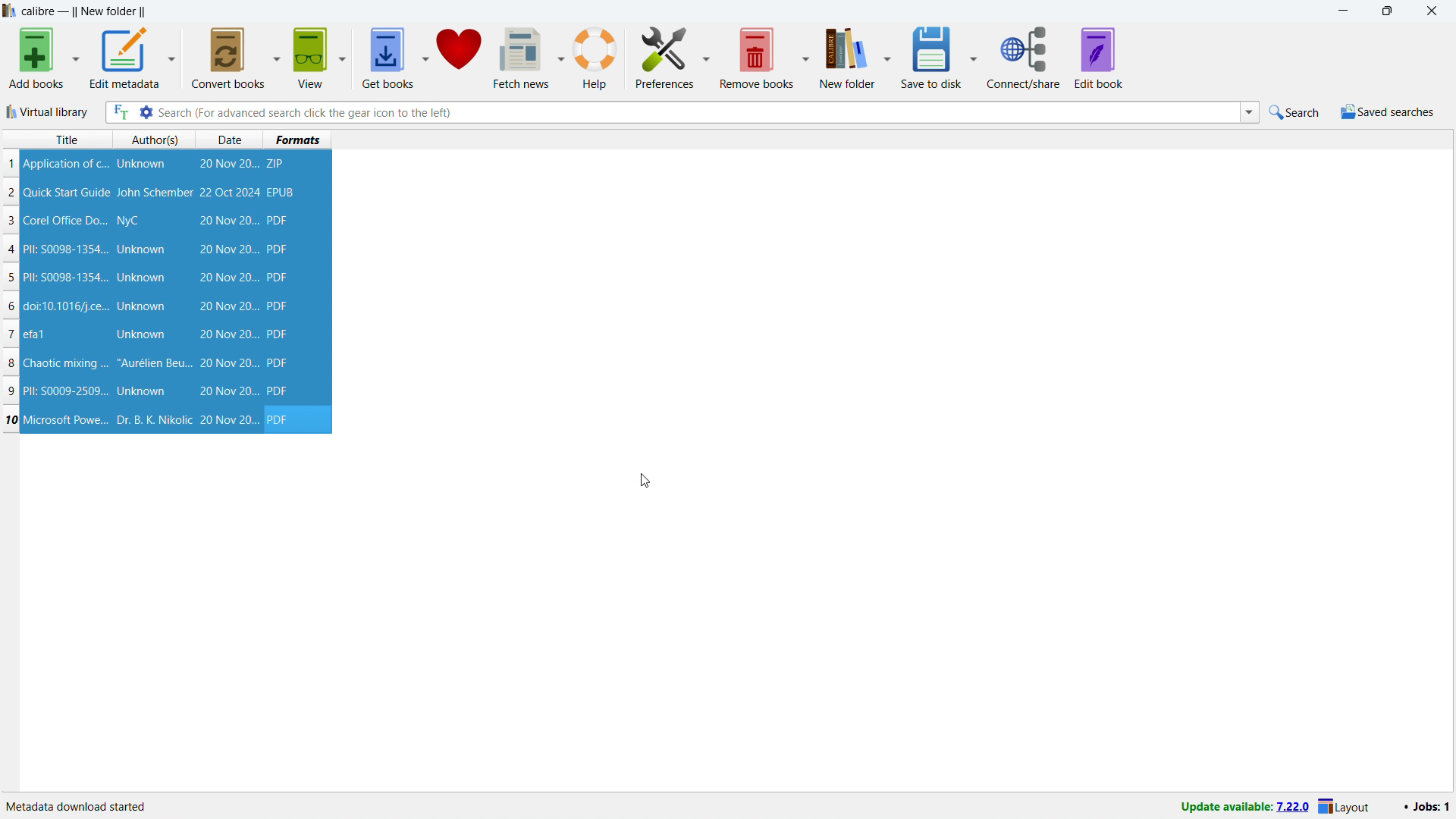 The image size is (1456, 819). Describe the element at coordinates (228, 221) in the screenshot. I see `20 Nov 20...` at that location.